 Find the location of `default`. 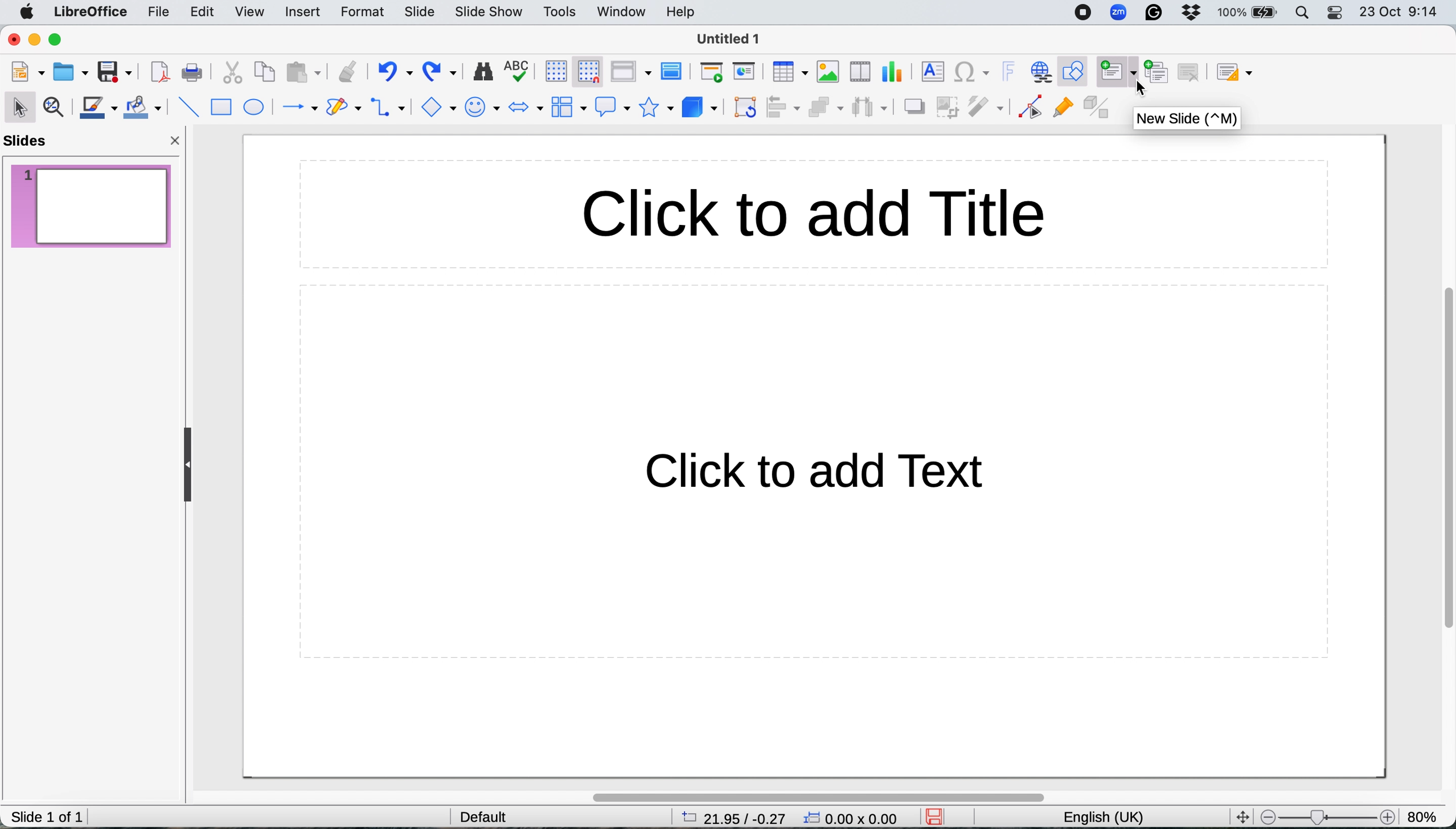

default is located at coordinates (475, 815).